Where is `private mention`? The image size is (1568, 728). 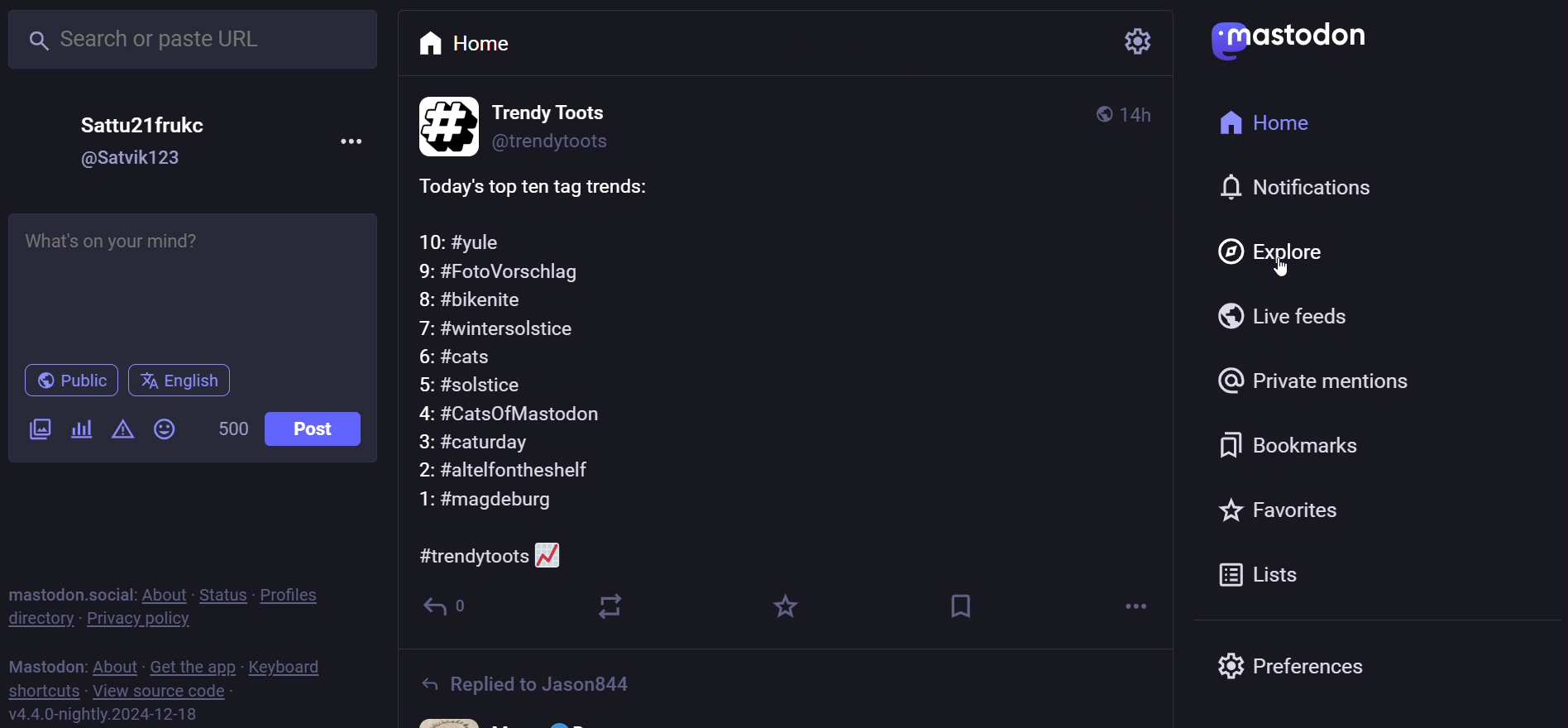
private mention is located at coordinates (1334, 377).